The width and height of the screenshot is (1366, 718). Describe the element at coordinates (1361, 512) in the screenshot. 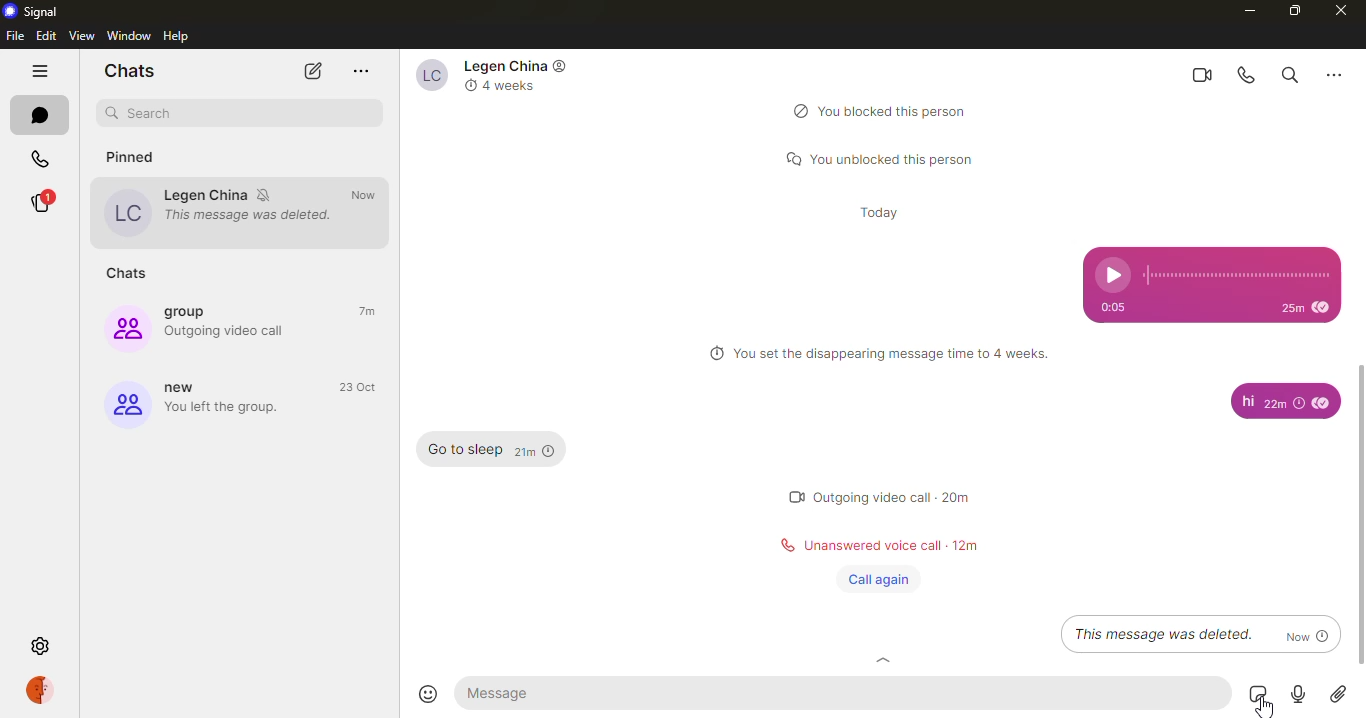

I see `scroll bar` at that location.